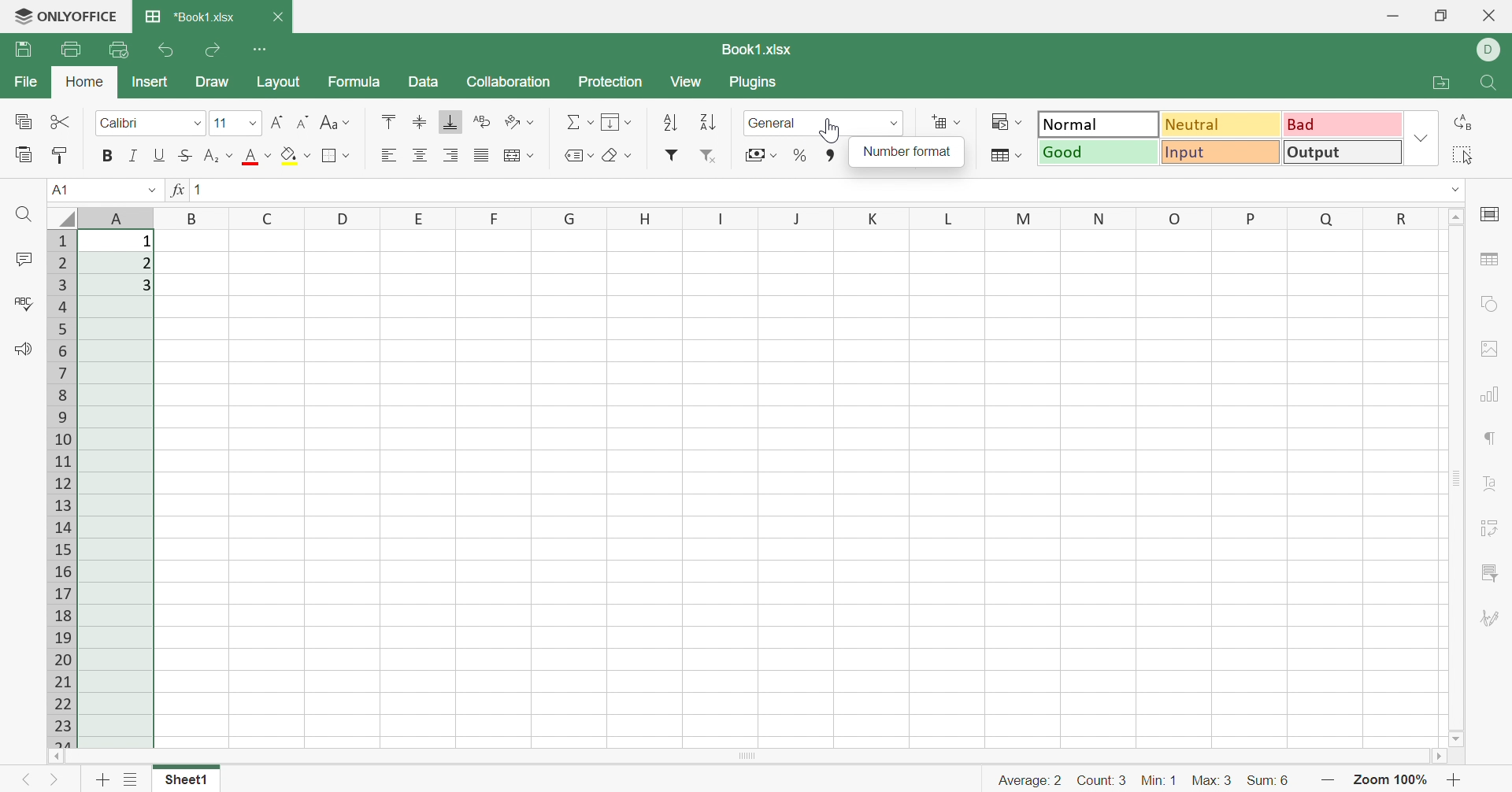 This screenshot has width=1512, height=792. What do you see at coordinates (388, 120) in the screenshot?
I see `Align top` at bounding box center [388, 120].